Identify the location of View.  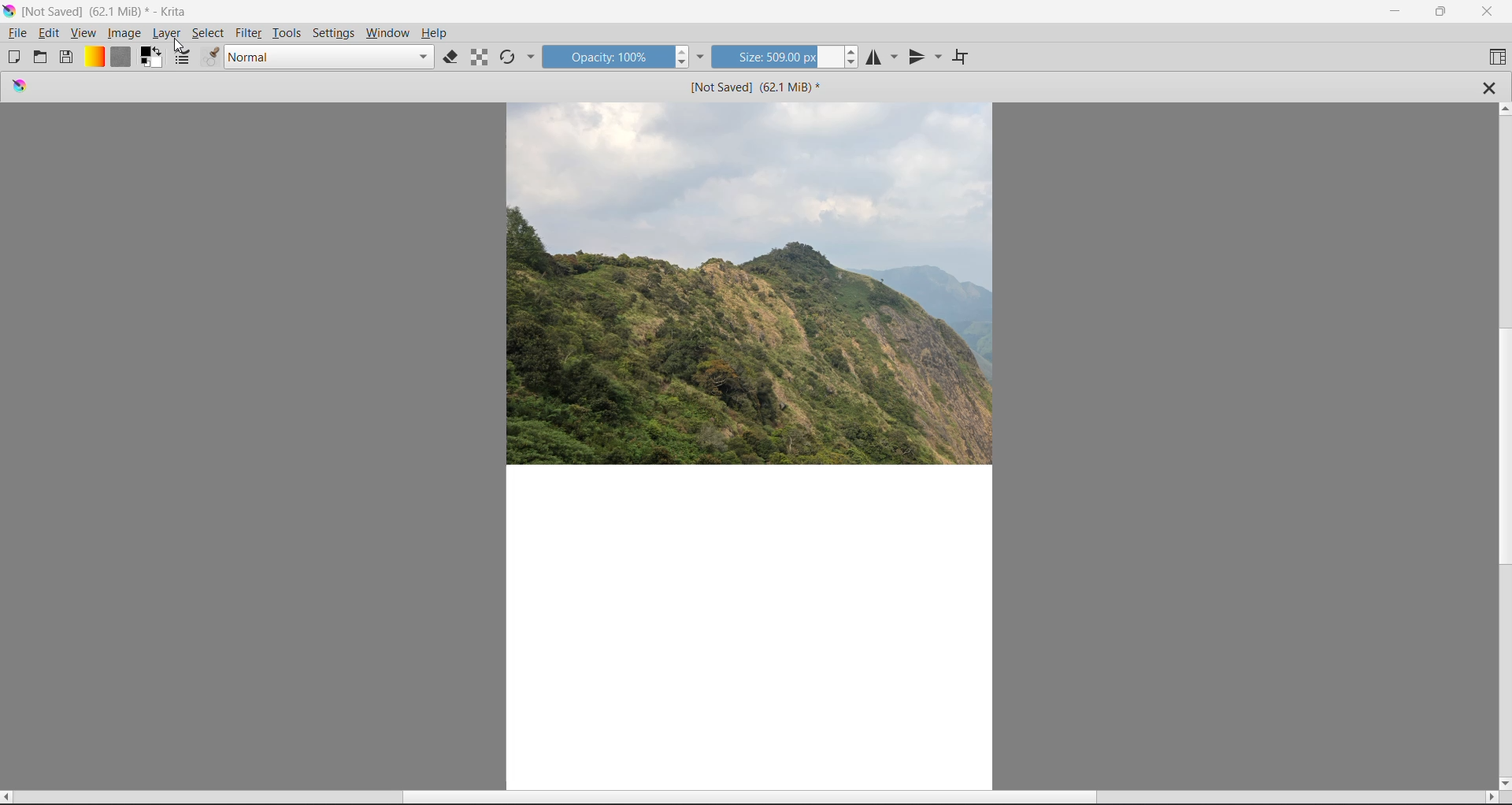
(83, 33).